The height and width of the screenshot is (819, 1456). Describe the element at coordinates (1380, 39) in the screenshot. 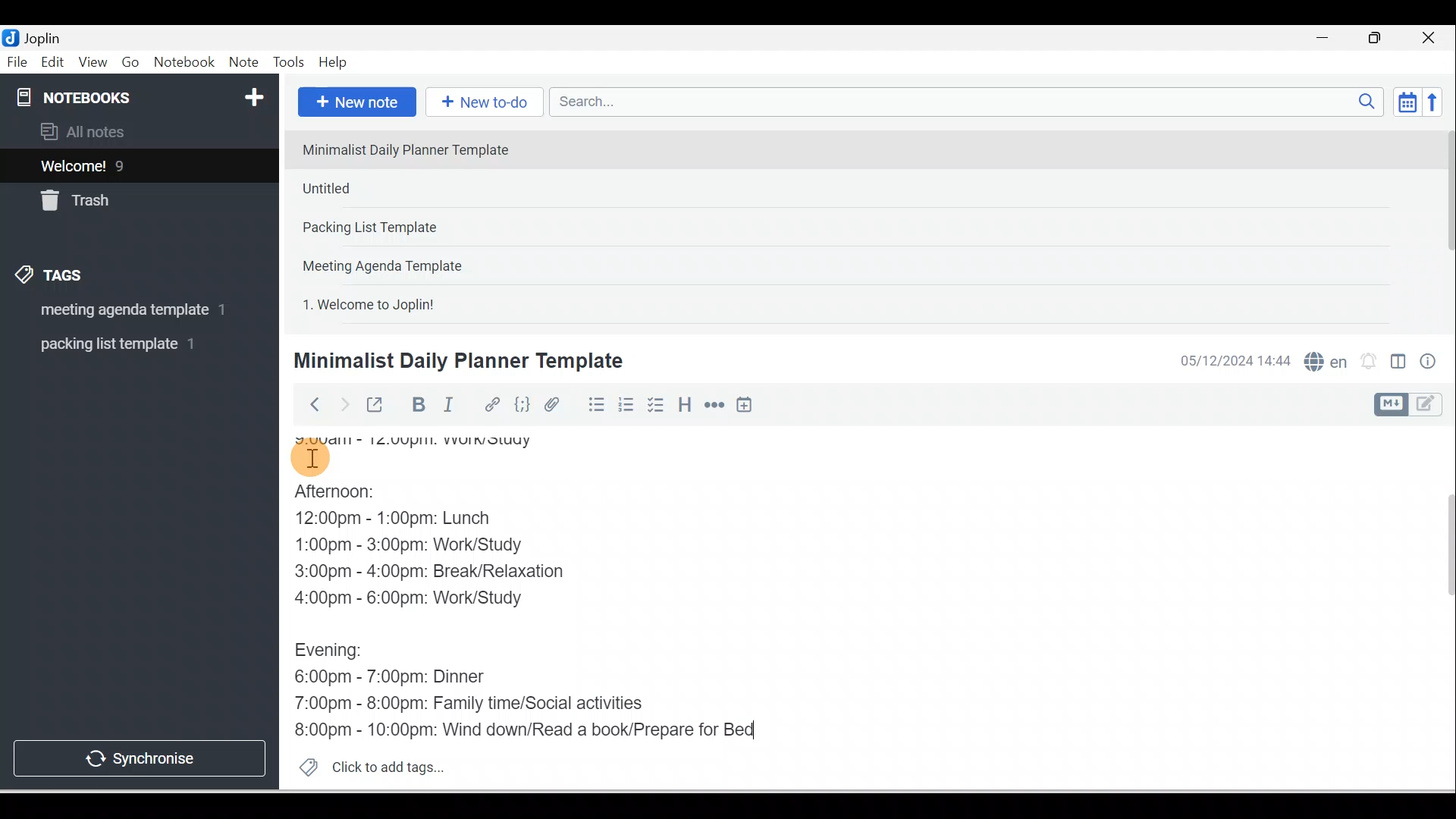

I see `Maximise` at that location.